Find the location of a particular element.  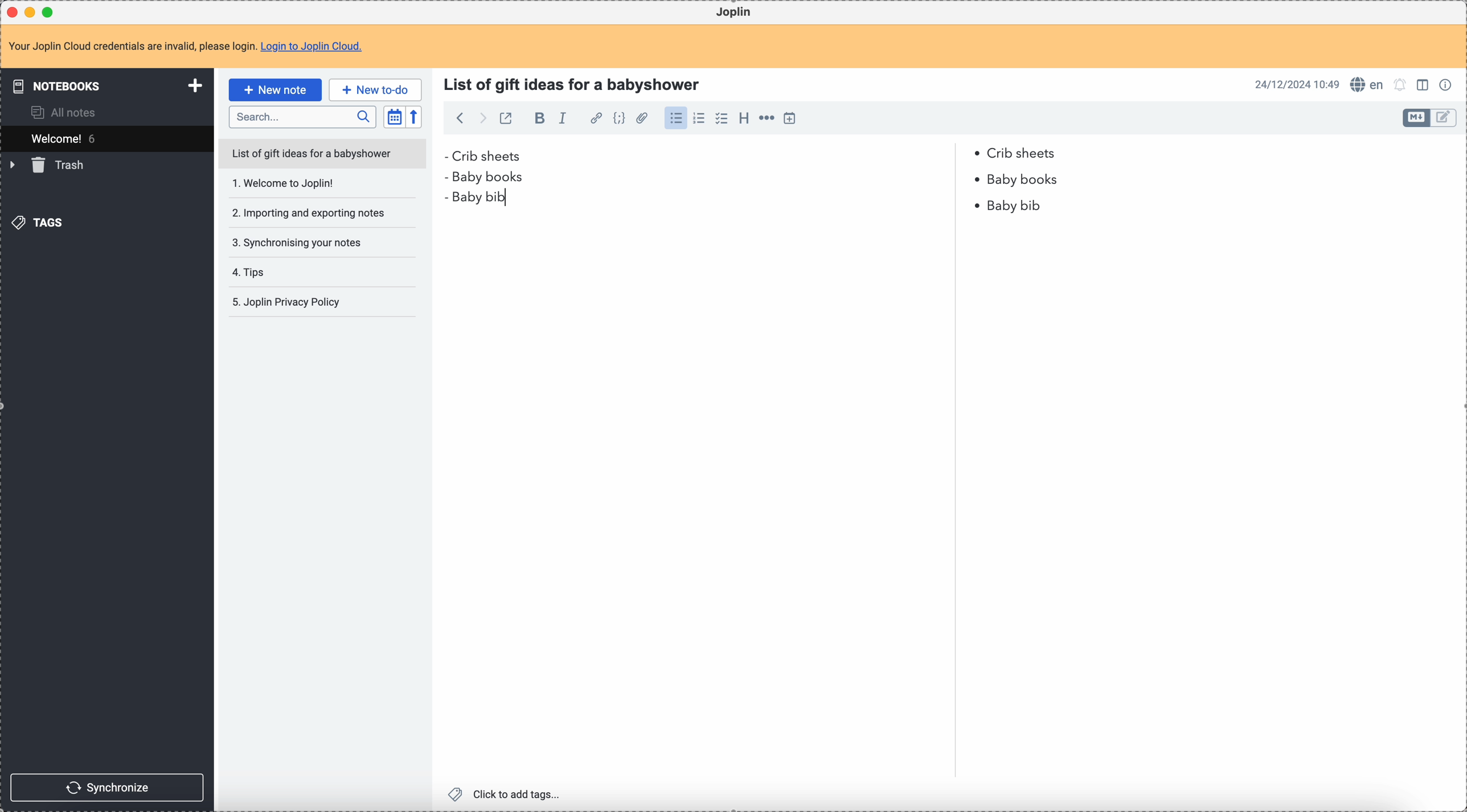

bullet point is located at coordinates (445, 156).